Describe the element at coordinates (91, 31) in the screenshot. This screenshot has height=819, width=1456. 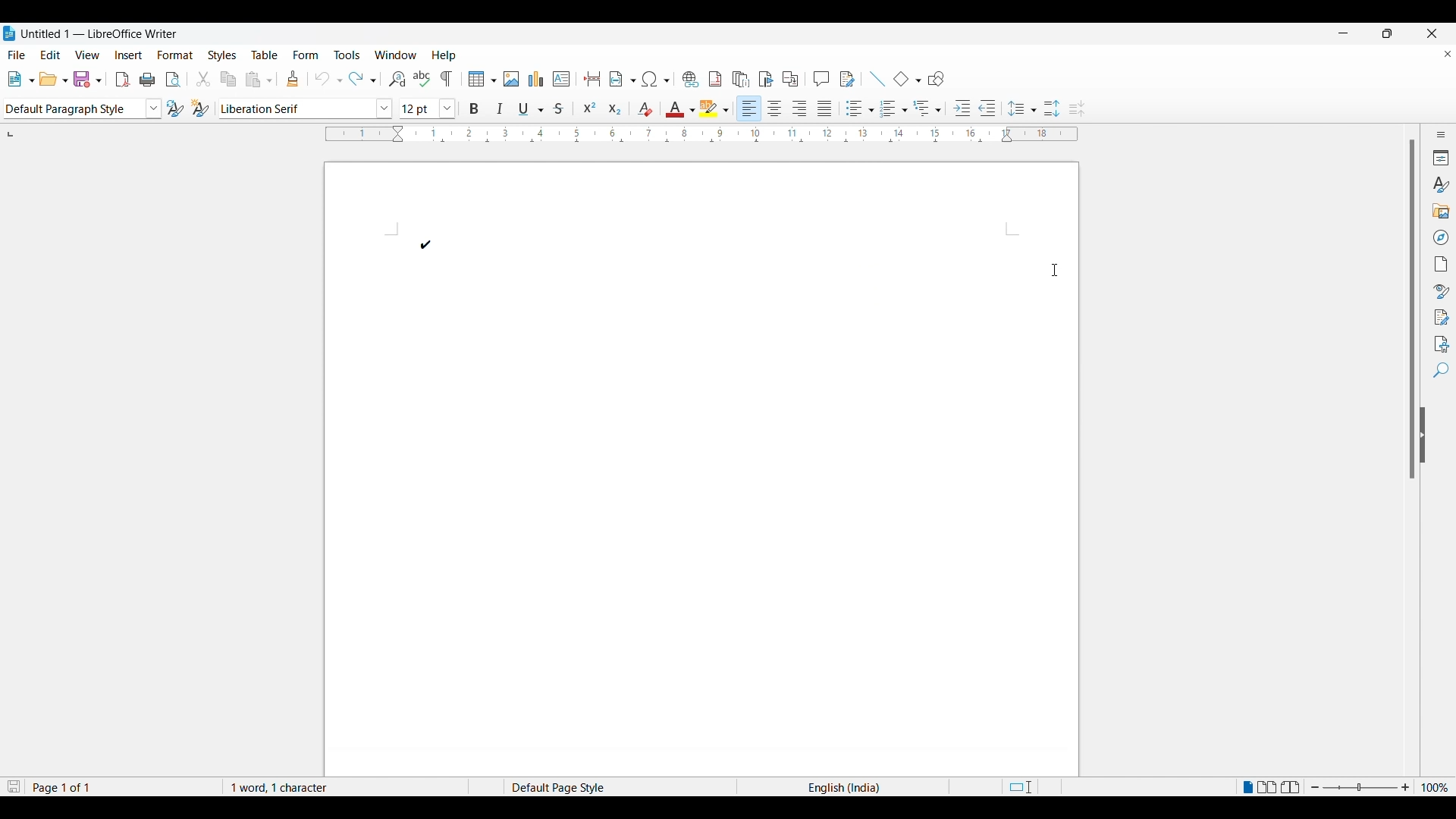
I see `Untitled 1 — LibreOffice Writer` at that location.